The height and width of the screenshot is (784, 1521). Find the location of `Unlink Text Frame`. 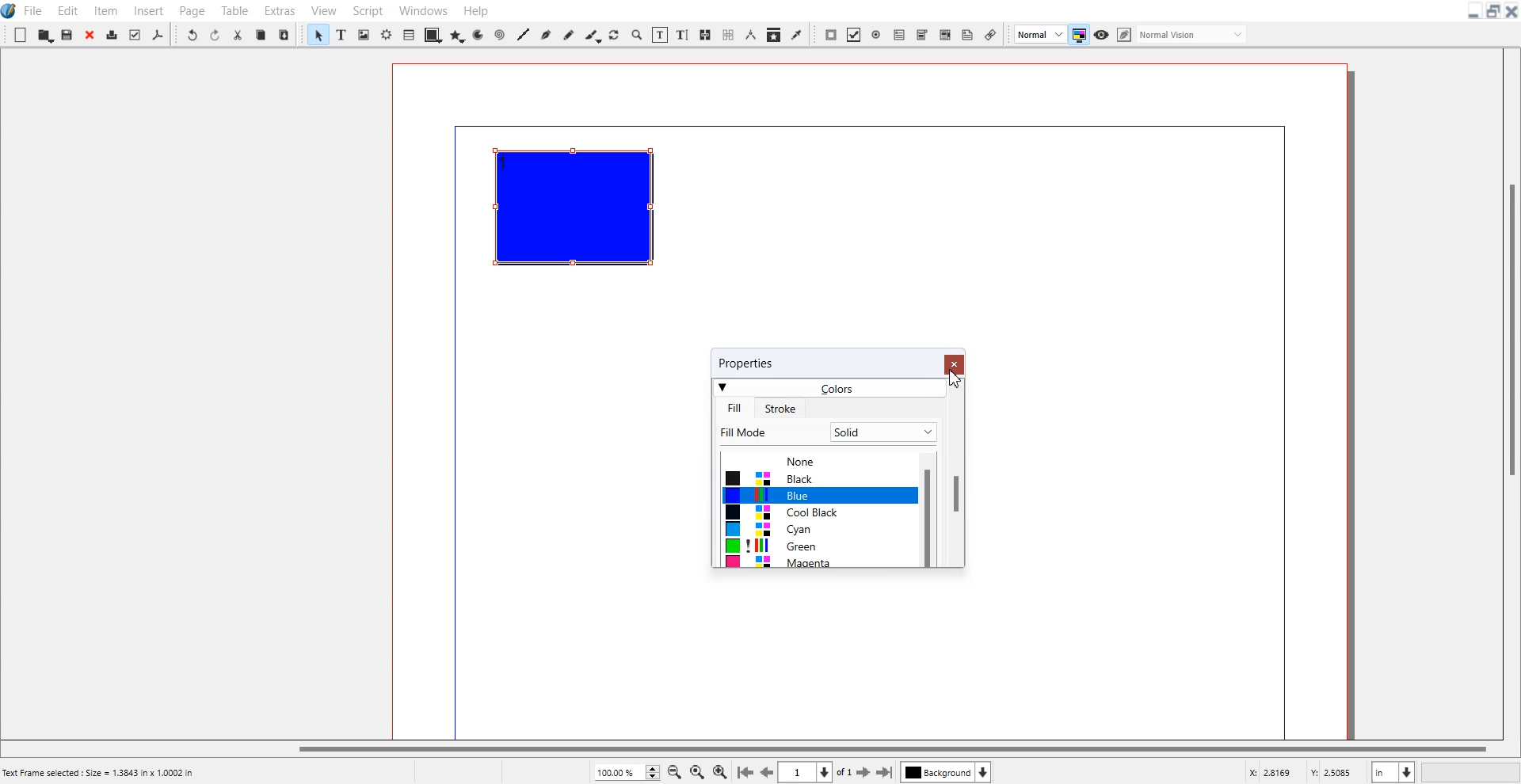

Unlink Text Frame is located at coordinates (726, 35).